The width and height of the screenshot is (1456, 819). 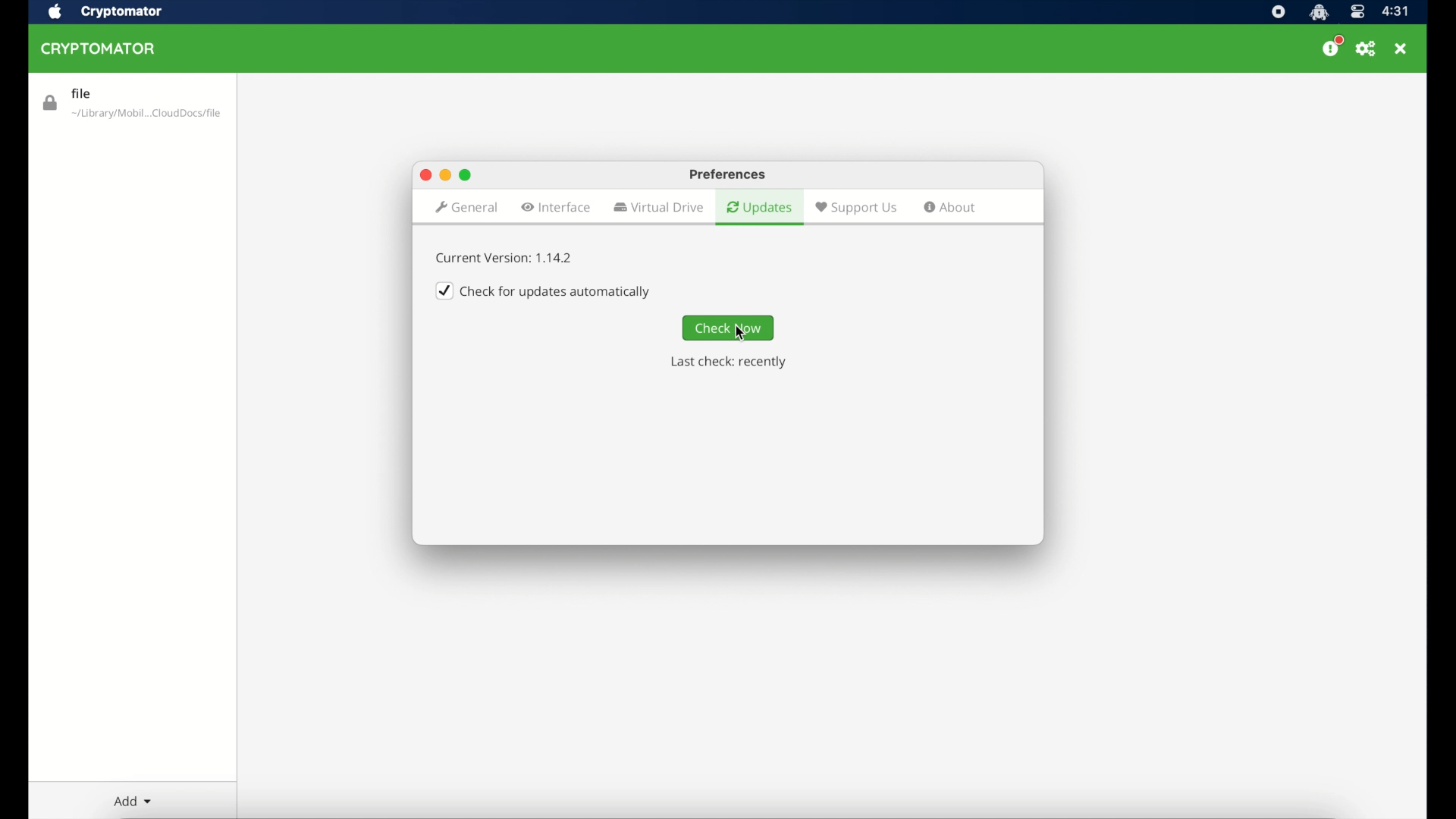 What do you see at coordinates (659, 208) in the screenshot?
I see `virtual drive` at bounding box center [659, 208].